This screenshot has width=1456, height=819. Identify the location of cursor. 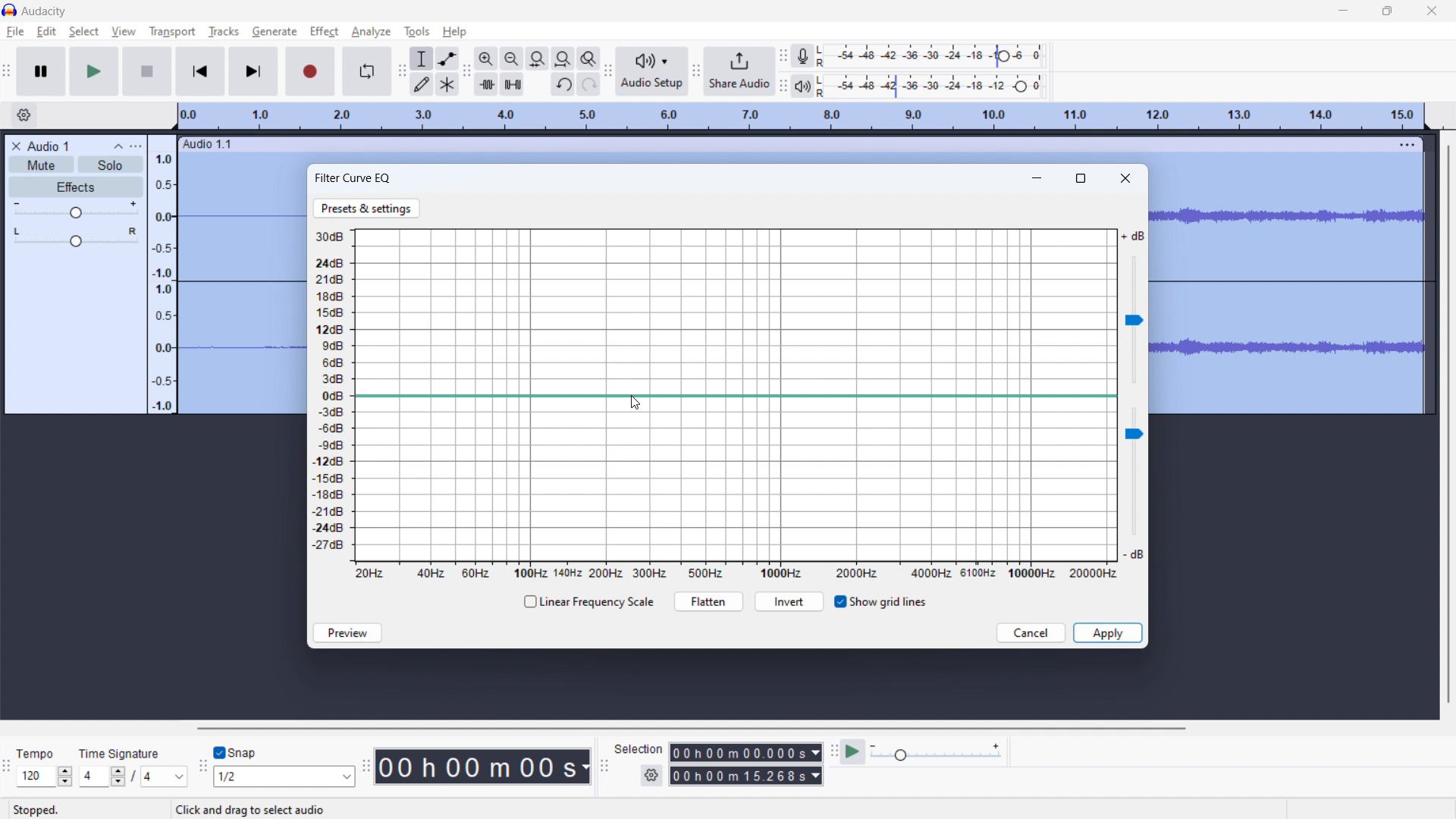
(629, 404).